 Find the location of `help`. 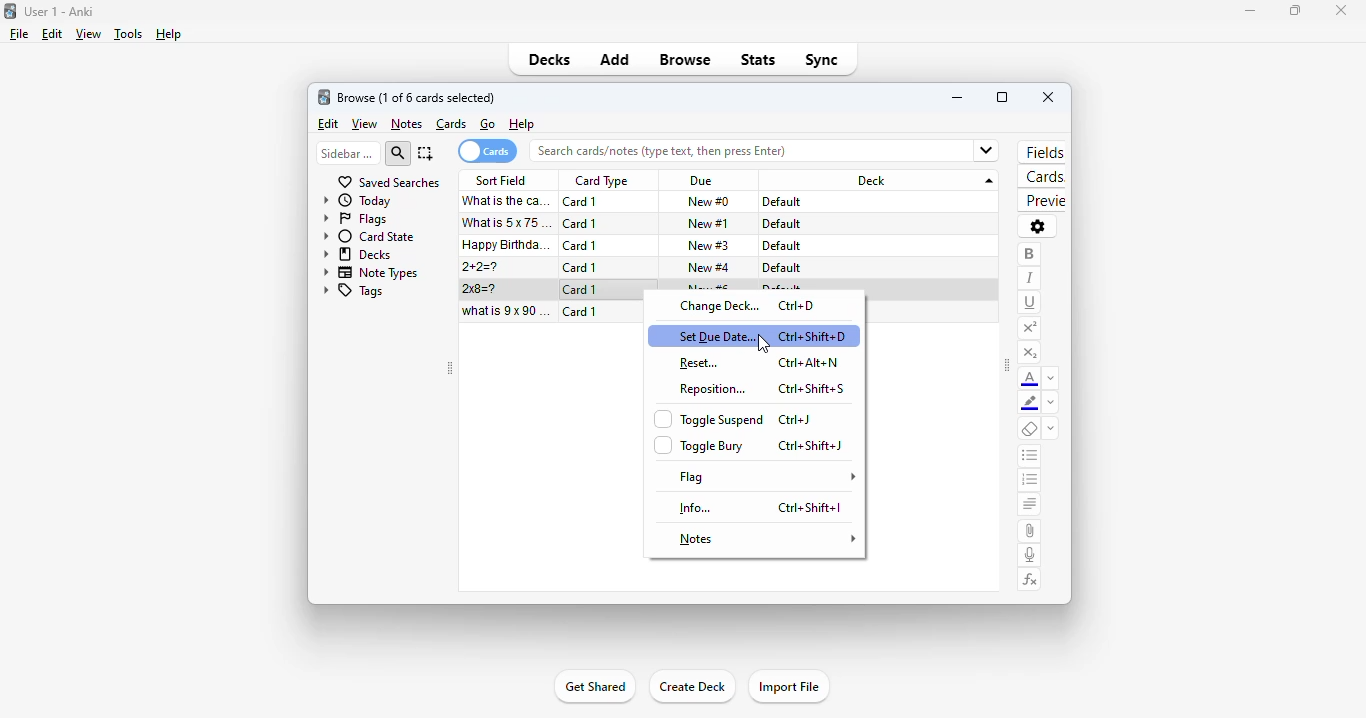

help is located at coordinates (521, 125).